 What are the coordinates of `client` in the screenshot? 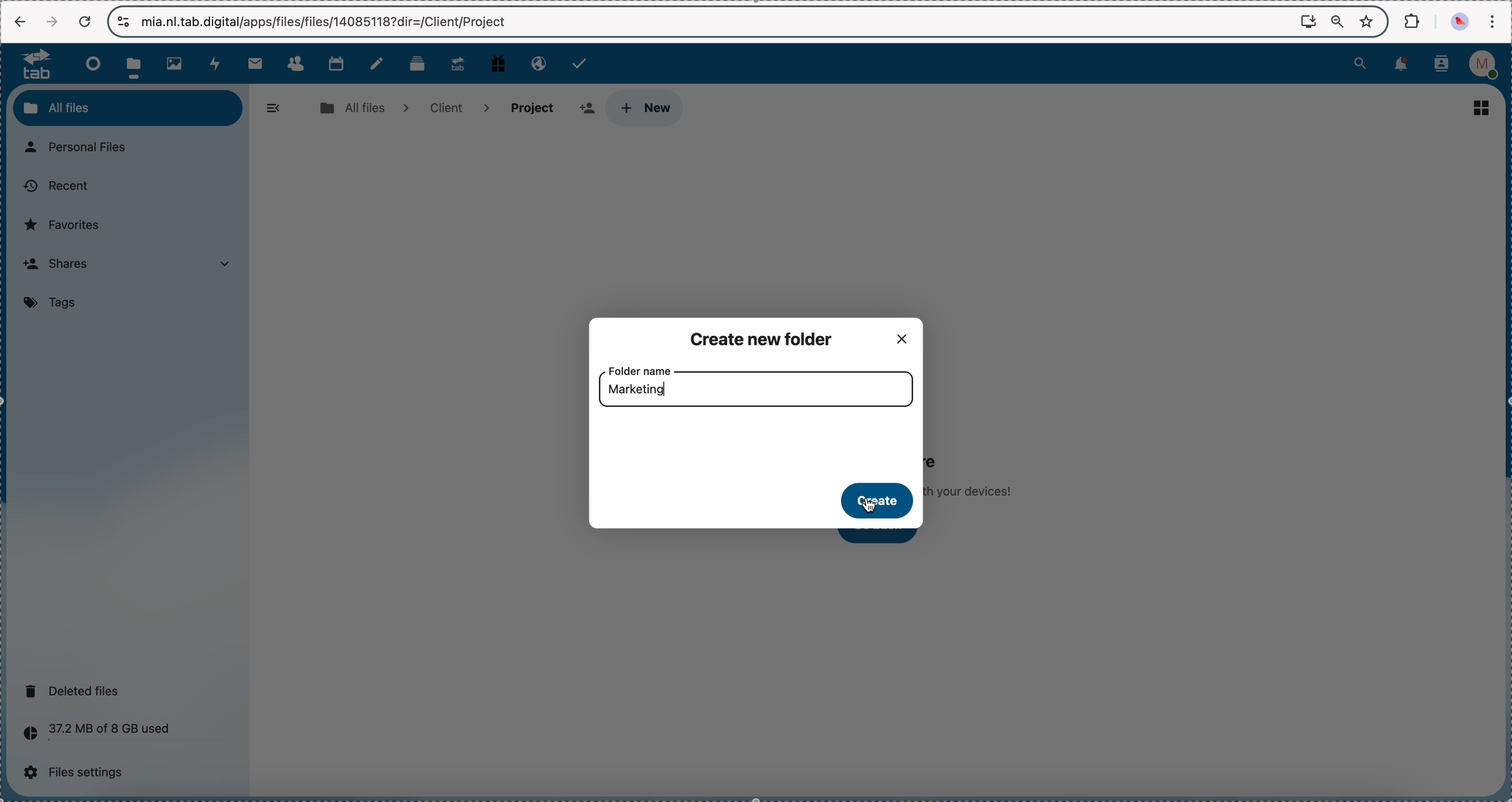 It's located at (457, 107).